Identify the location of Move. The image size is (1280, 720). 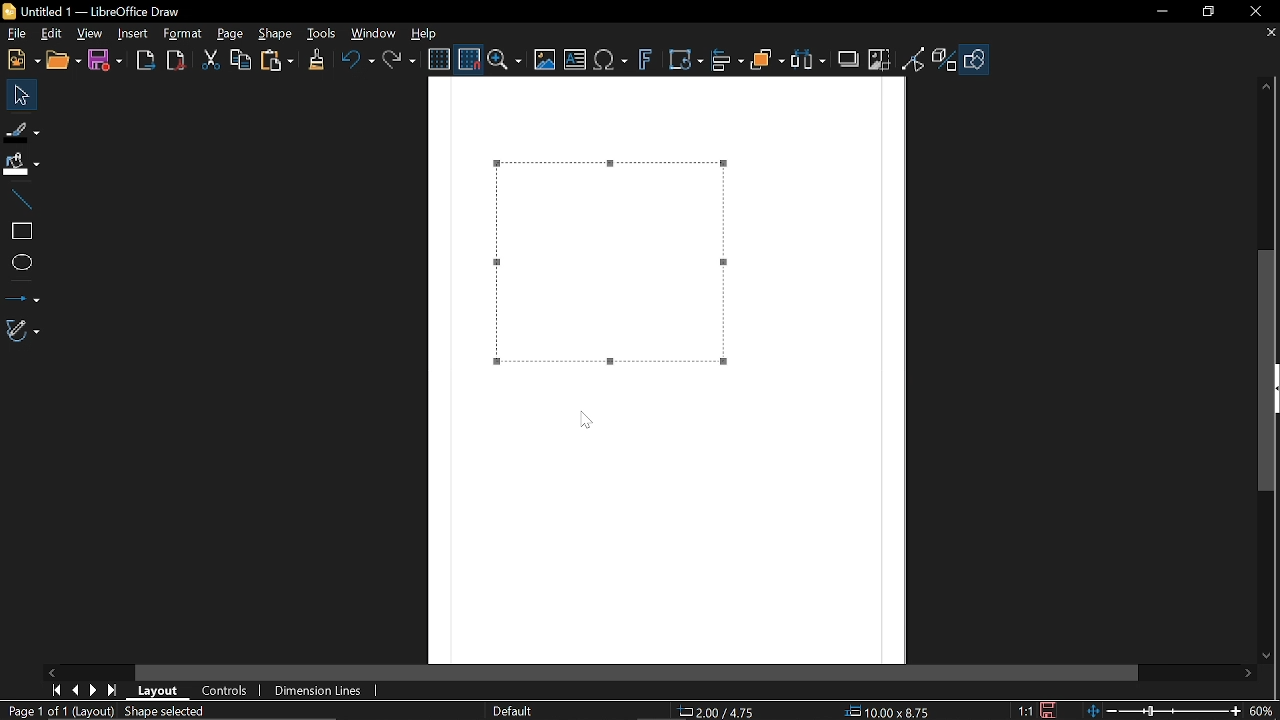
(17, 94).